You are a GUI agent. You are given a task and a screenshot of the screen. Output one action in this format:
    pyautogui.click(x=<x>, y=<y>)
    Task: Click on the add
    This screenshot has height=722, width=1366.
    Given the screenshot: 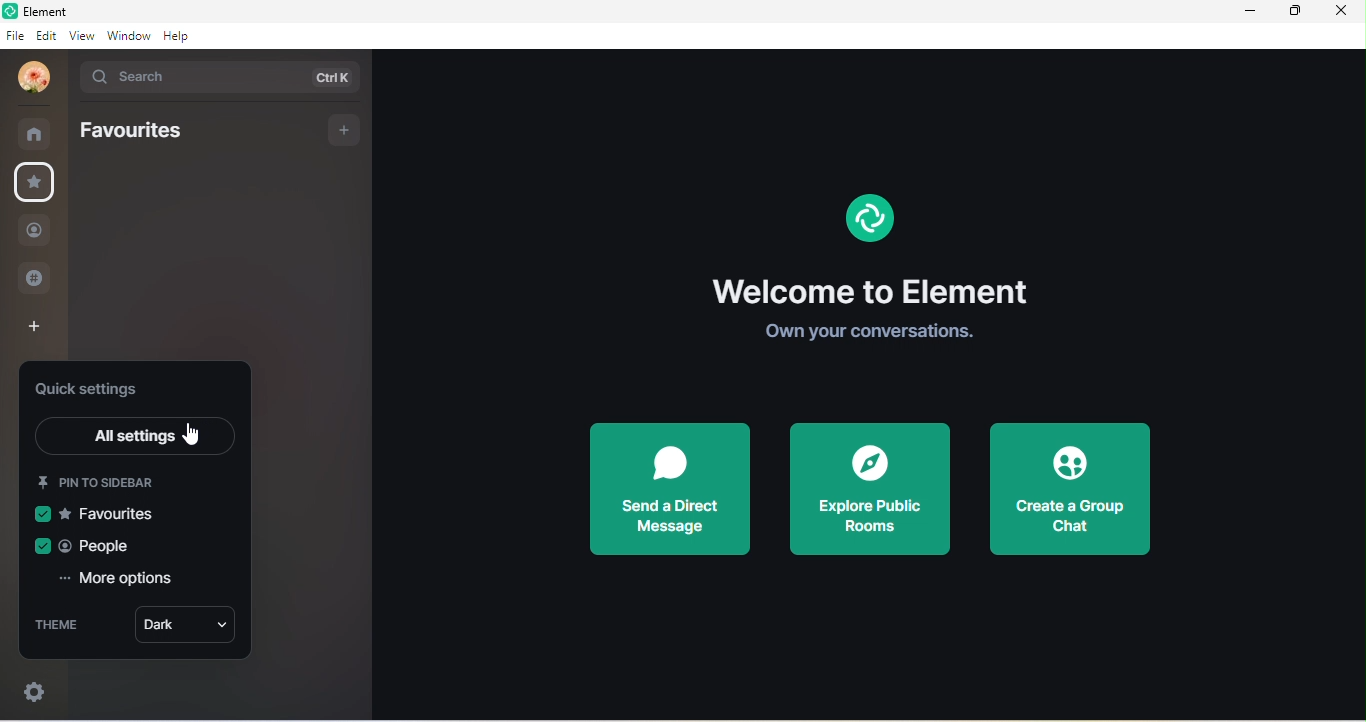 What is the action you would take?
    pyautogui.click(x=345, y=130)
    